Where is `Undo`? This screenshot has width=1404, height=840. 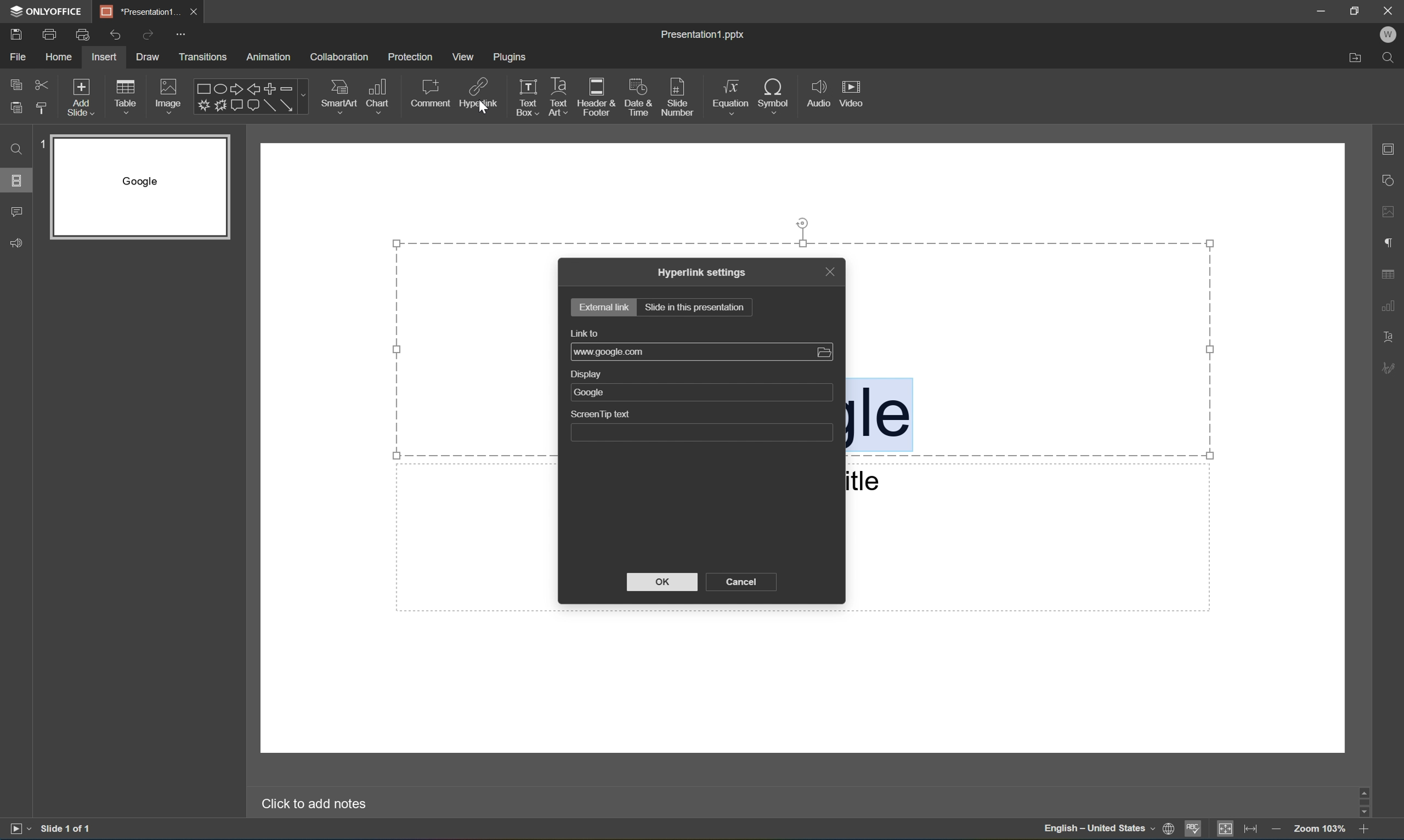
Undo is located at coordinates (115, 36).